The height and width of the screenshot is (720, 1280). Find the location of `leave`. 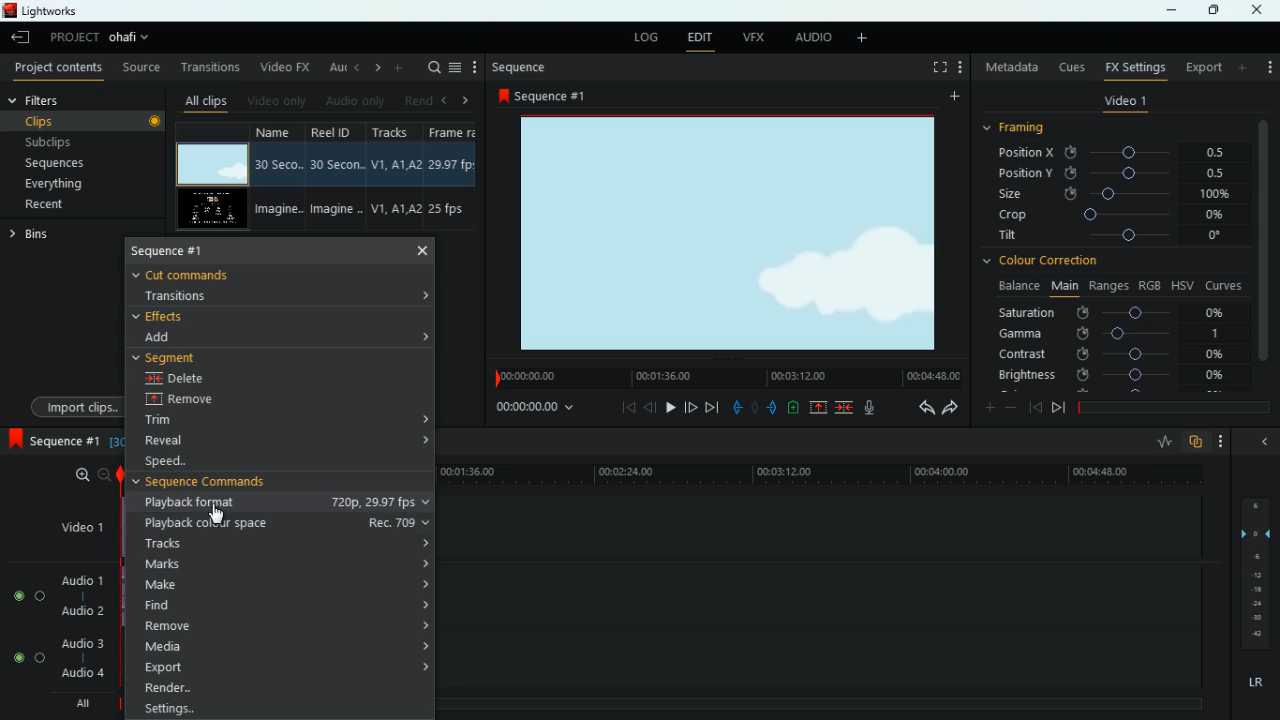

leave is located at coordinates (21, 37).